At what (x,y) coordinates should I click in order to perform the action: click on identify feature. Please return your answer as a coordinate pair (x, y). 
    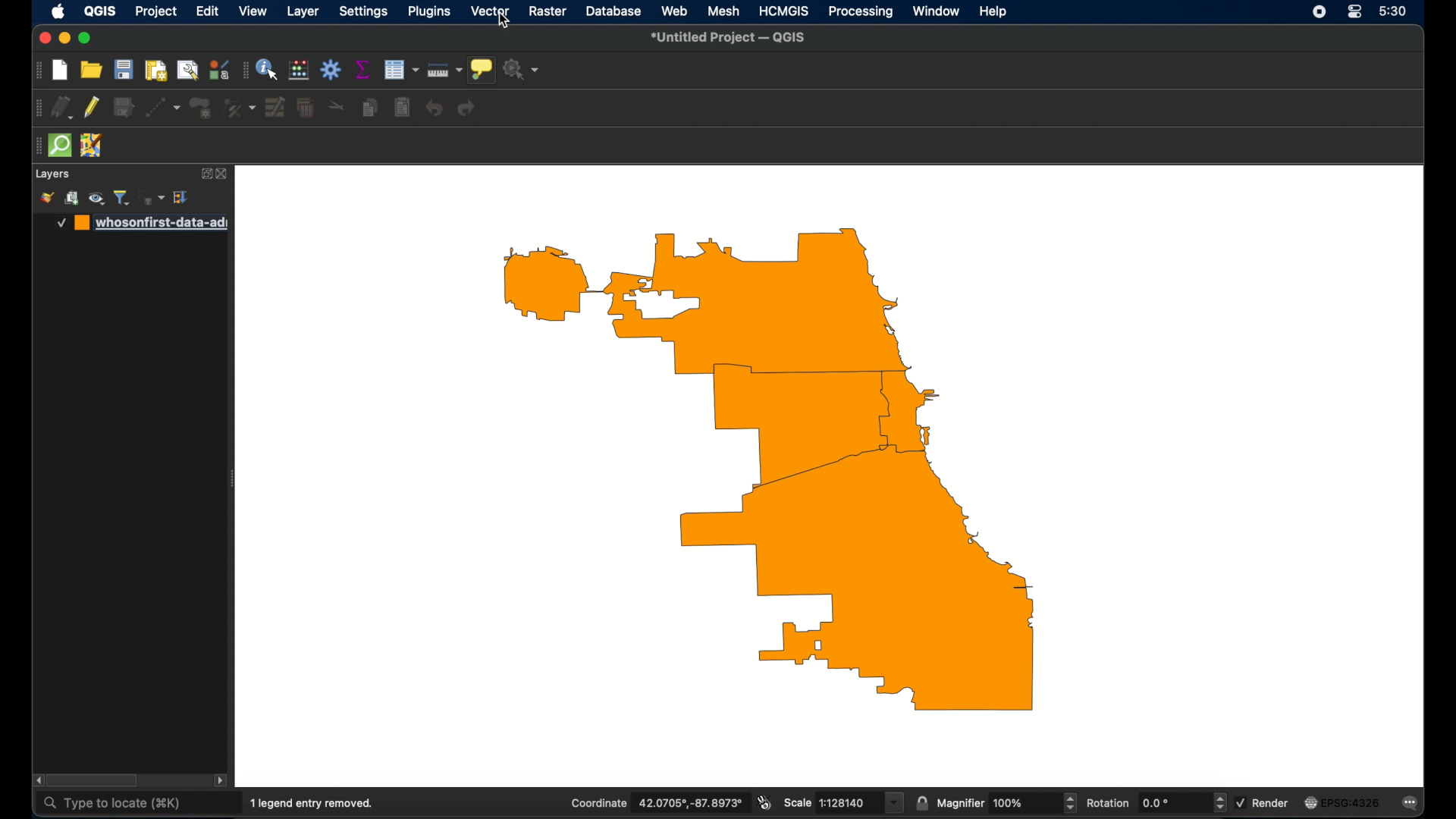
    Looking at the image, I should click on (268, 70).